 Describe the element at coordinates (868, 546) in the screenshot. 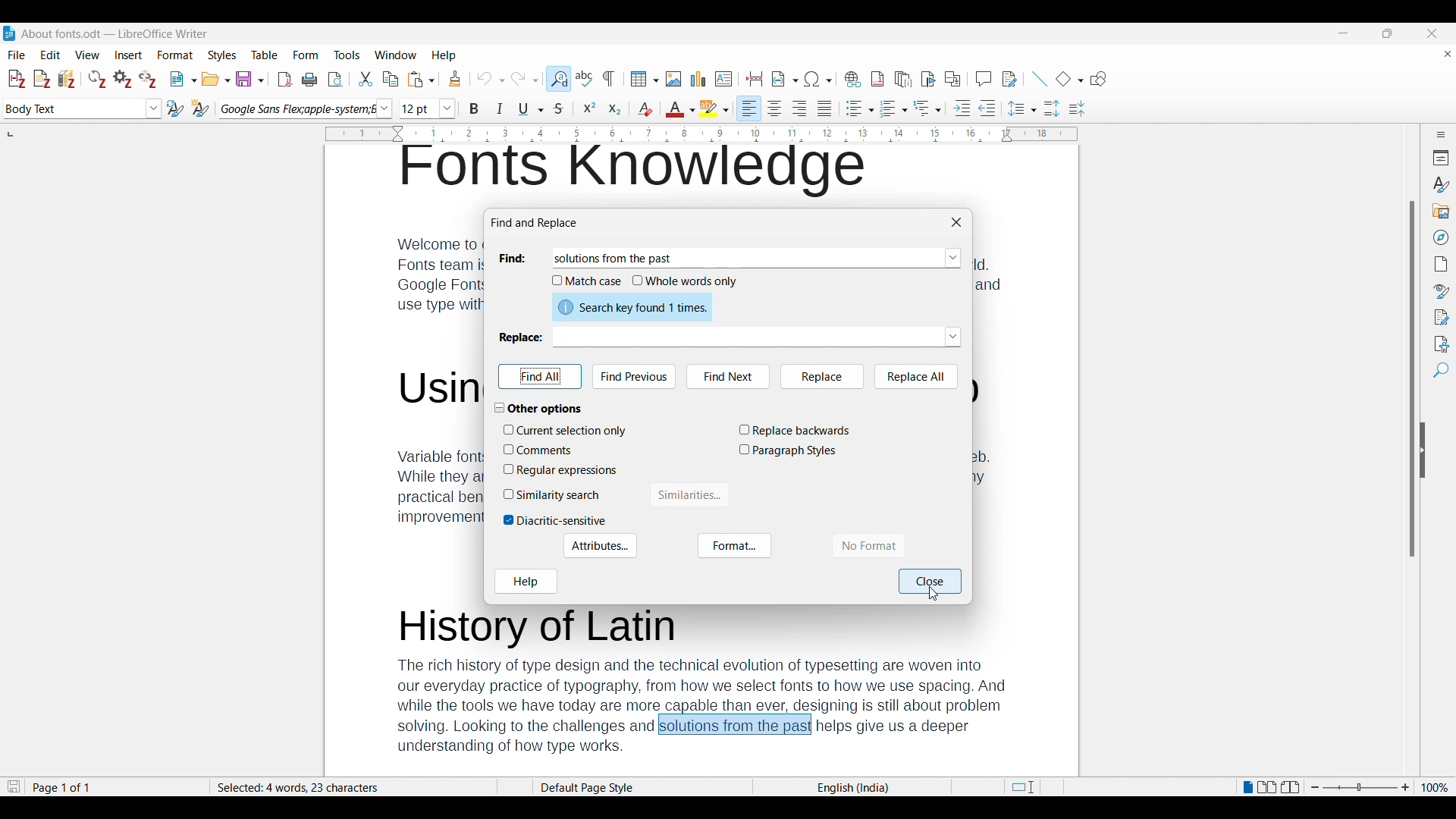

I see `No format` at that location.